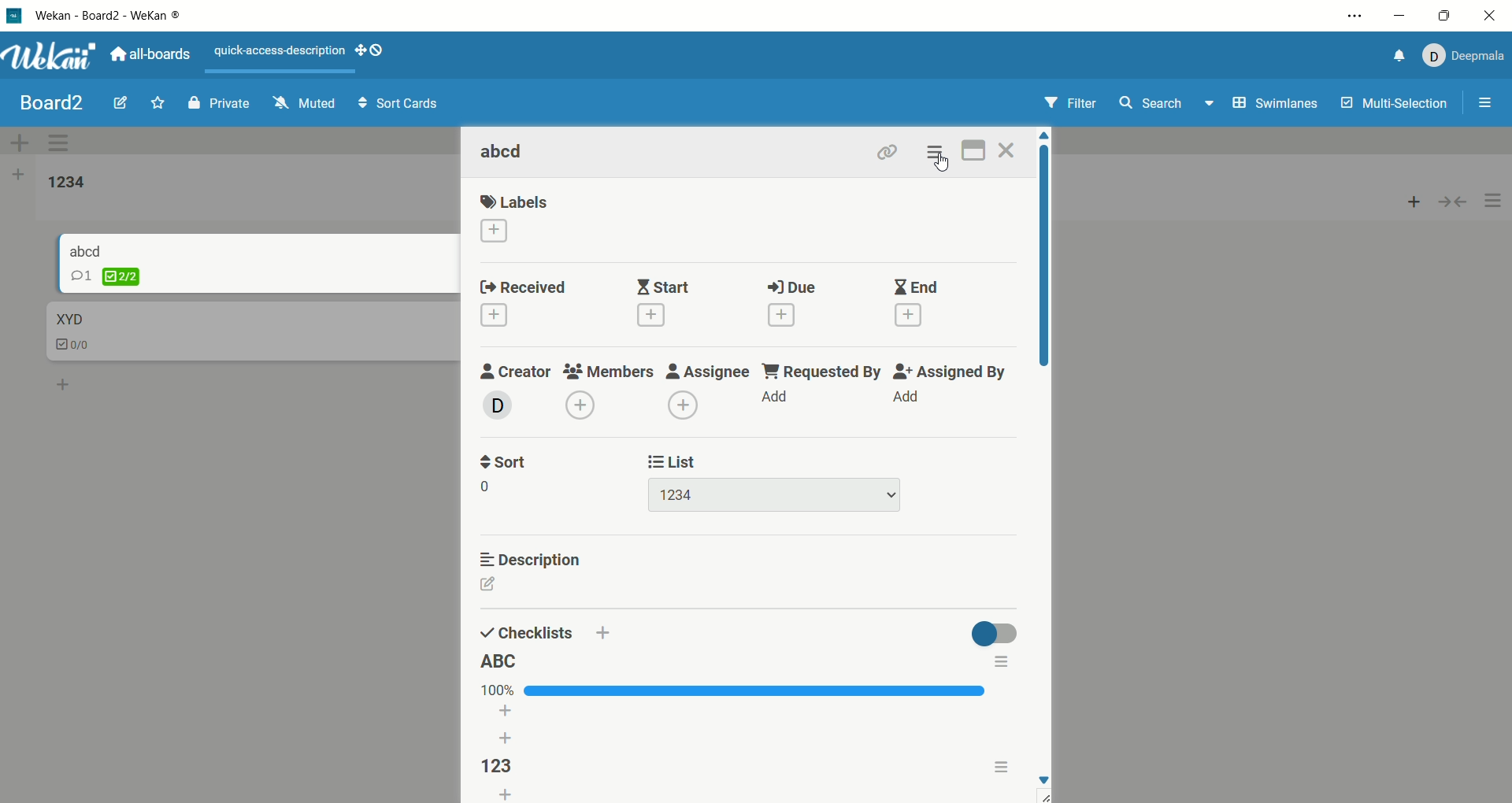 This screenshot has width=1512, height=803. Describe the element at coordinates (514, 219) in the screenshot. I see `labels` at that location.